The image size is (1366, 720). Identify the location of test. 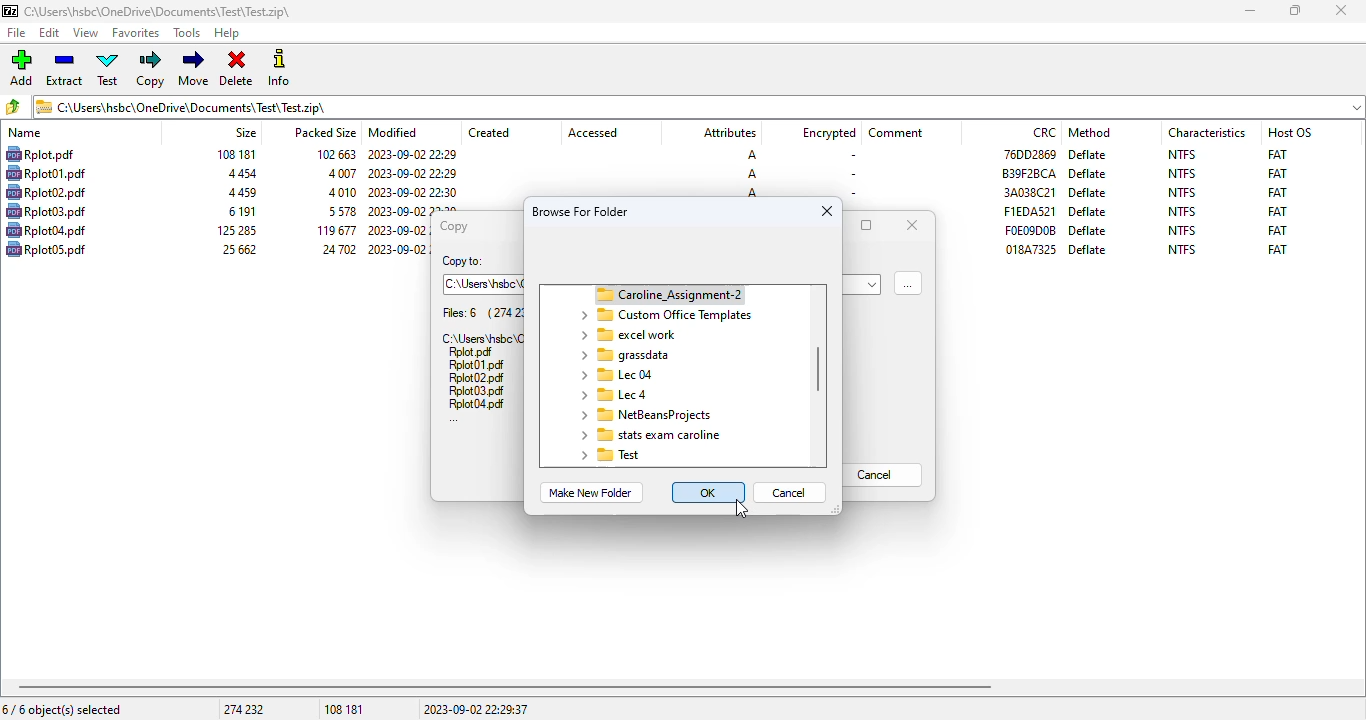
(109, 69).